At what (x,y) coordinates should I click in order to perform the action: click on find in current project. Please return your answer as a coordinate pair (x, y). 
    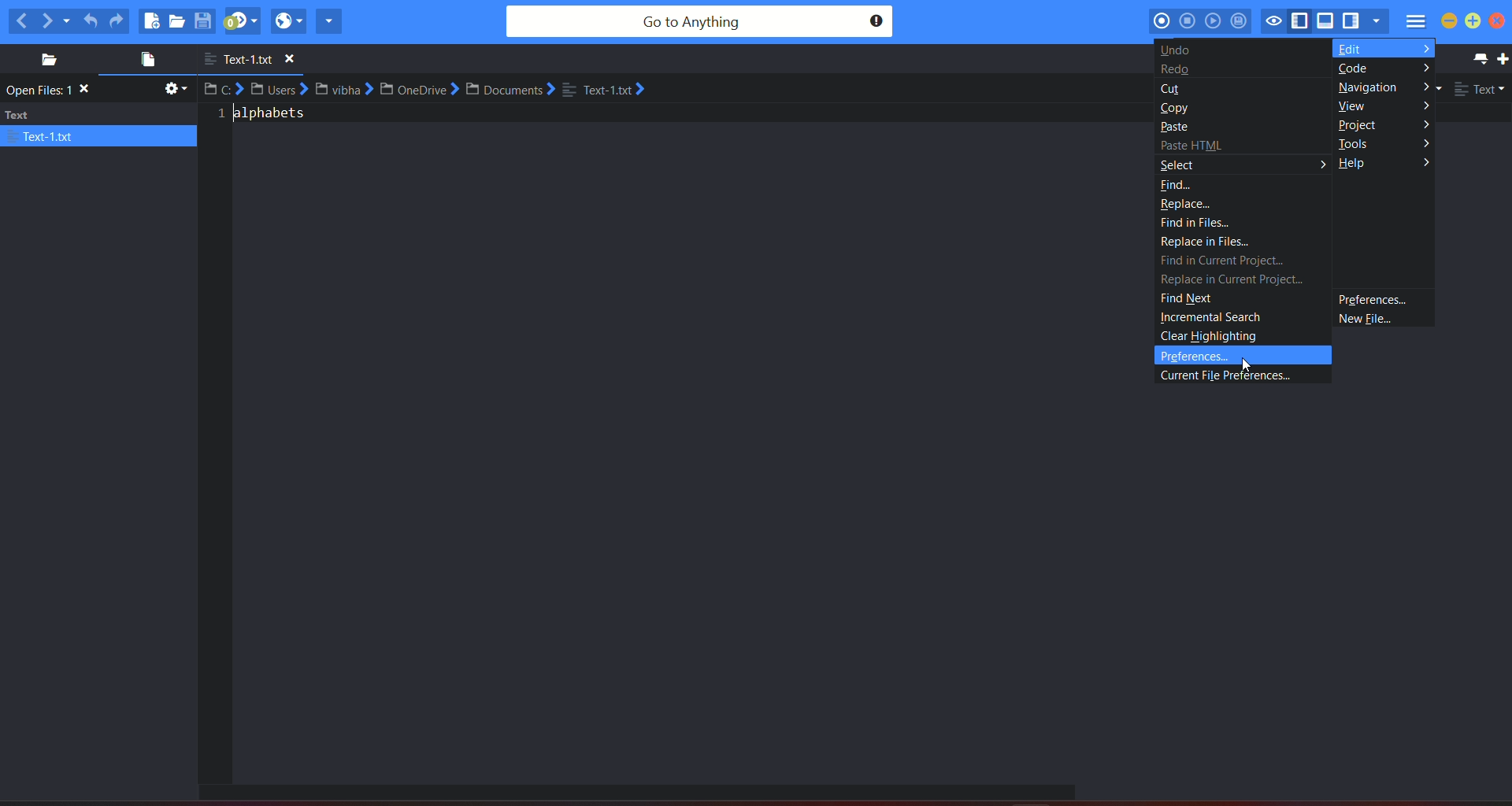
    Looking at the image, I should click on (1227, 261).